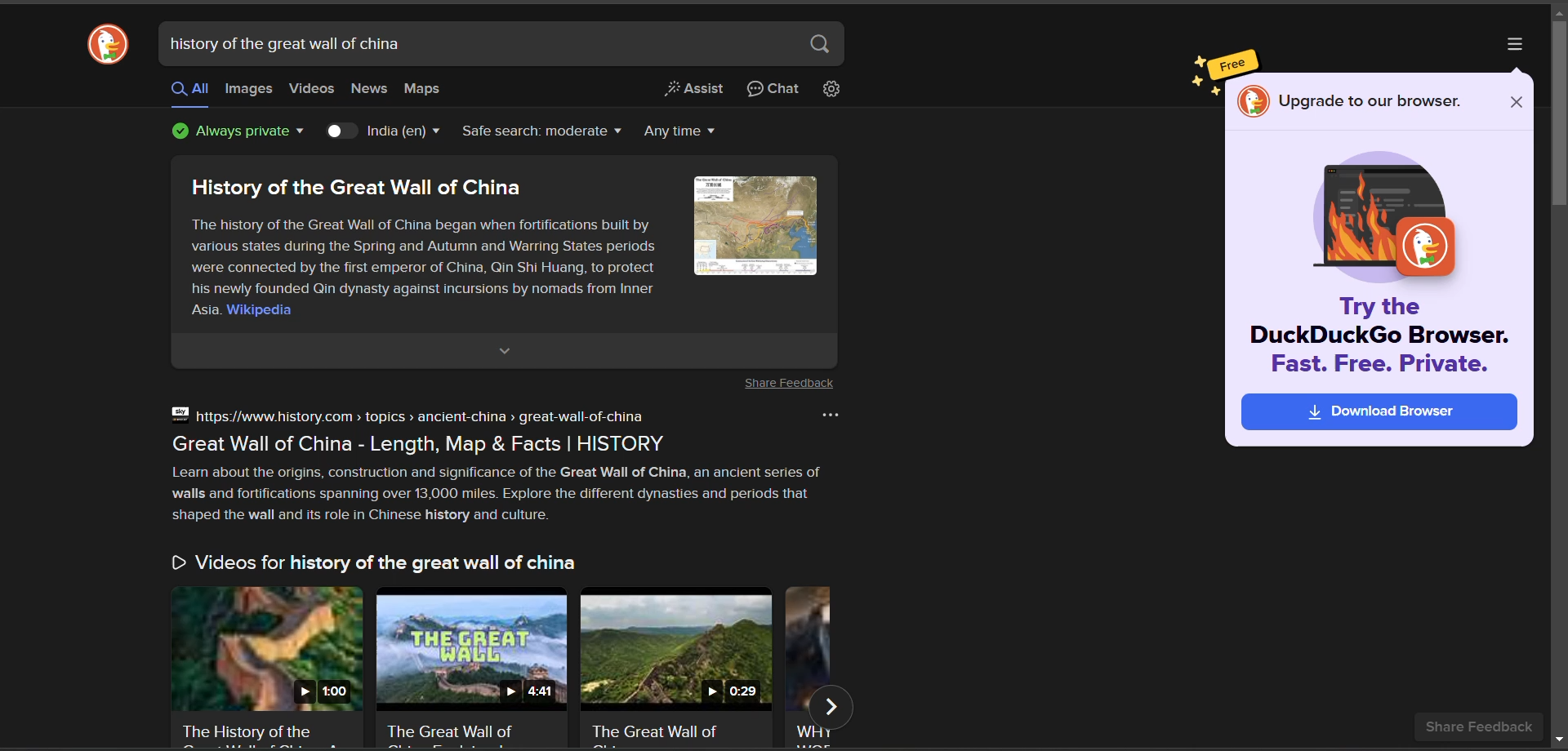 This screenshot has width=1568, height=751. Describe the element at coordinates (367, 179) in the screenshot. I see `History of the Great Wall of China` at that location.